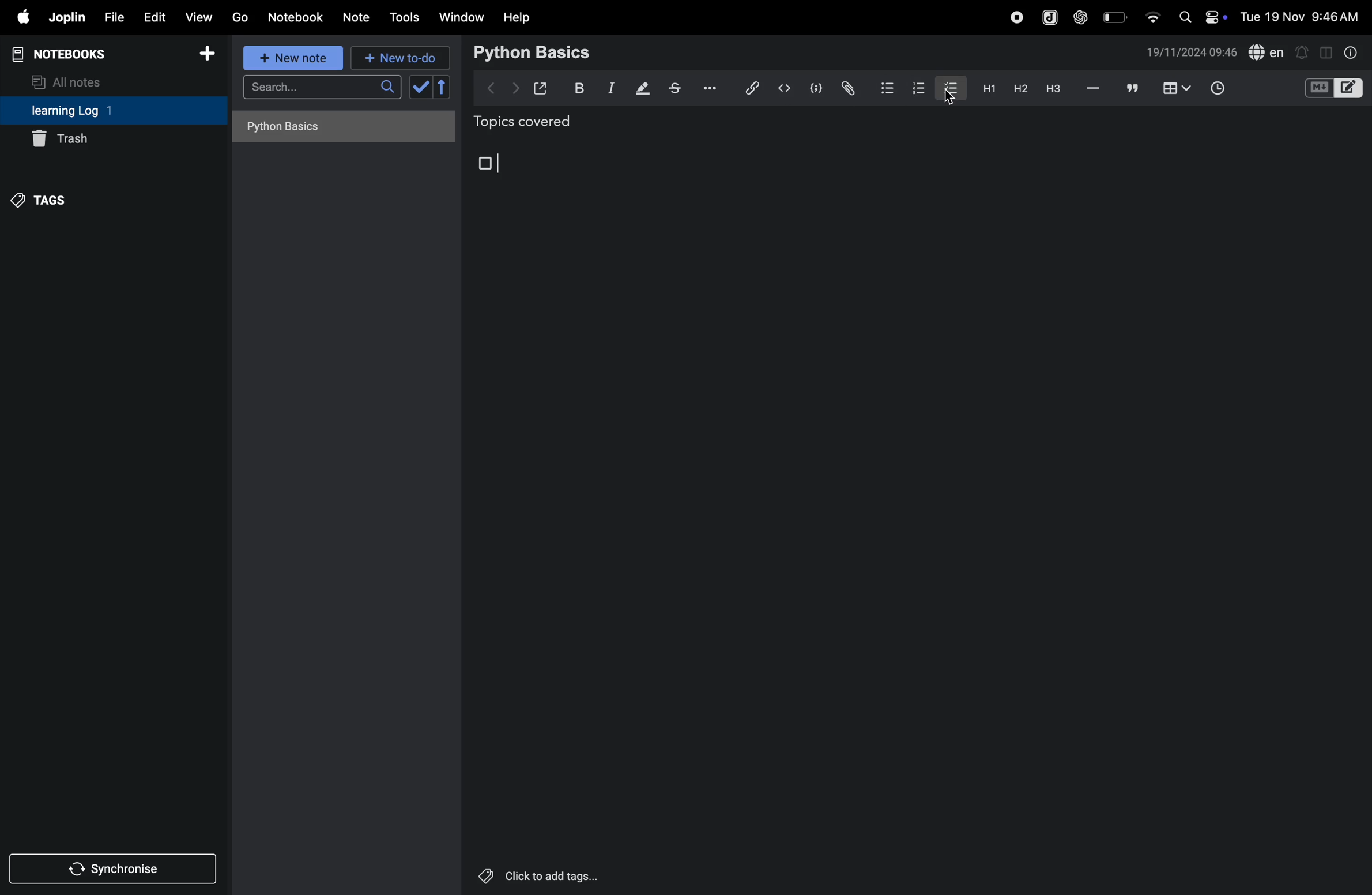 This screenshot has height=895, width=1372. What do you see at coordinates (541, 88) in the screenshot?
I see `open` at bounding box center [541, 88].